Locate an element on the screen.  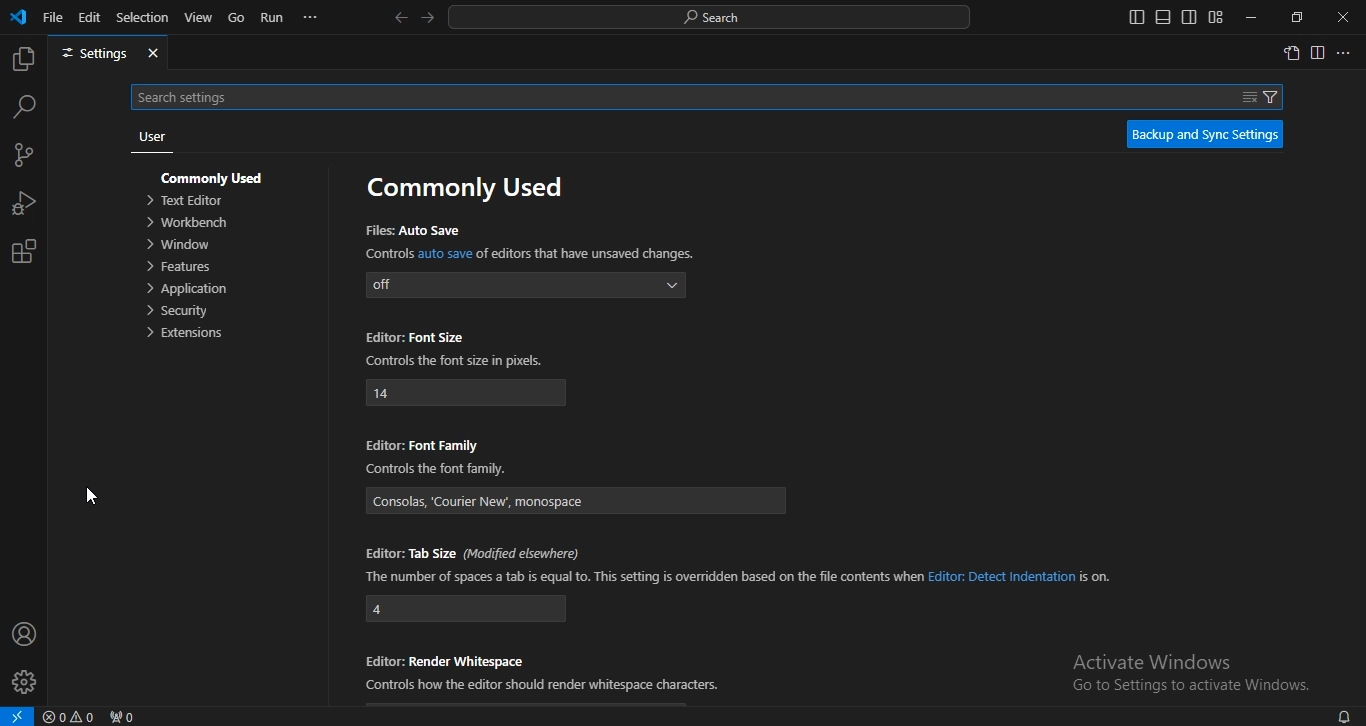
no problems is located at coordinates (72, 717).